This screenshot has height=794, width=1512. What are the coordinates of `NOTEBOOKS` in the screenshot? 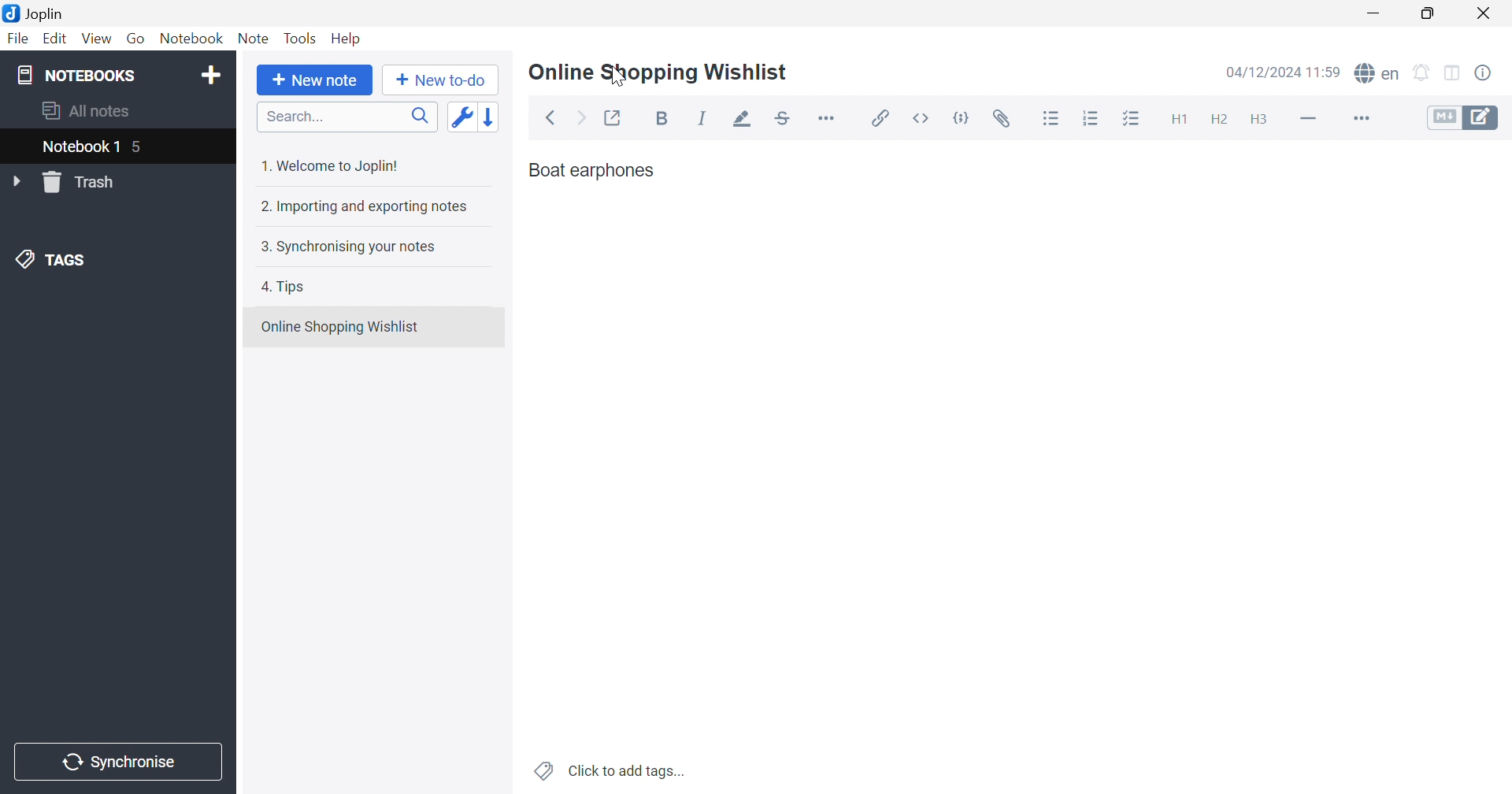 It's located at (75, 74).